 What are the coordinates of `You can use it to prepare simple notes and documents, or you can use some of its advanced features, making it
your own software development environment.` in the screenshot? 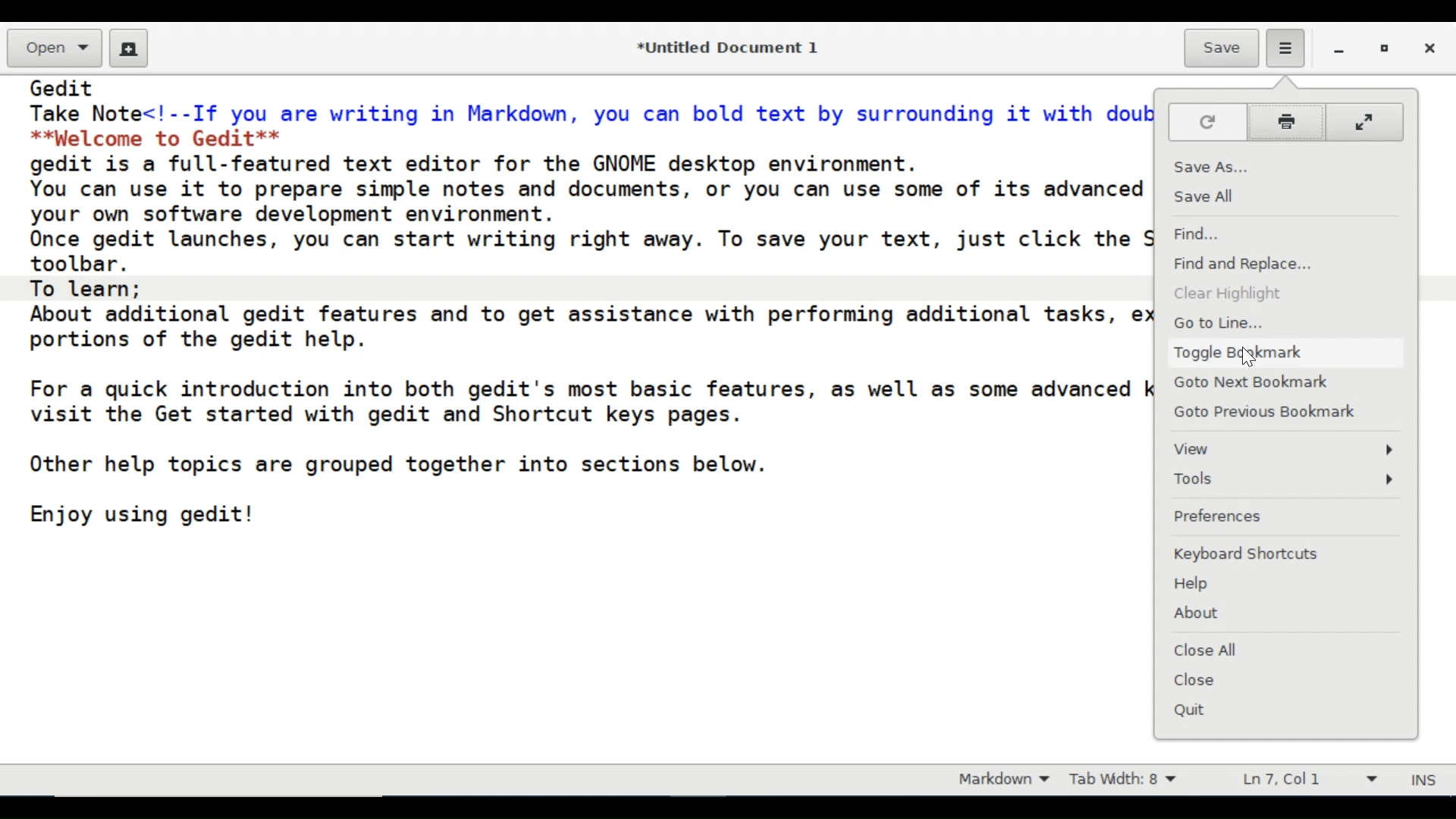 It's located at (590, 201).